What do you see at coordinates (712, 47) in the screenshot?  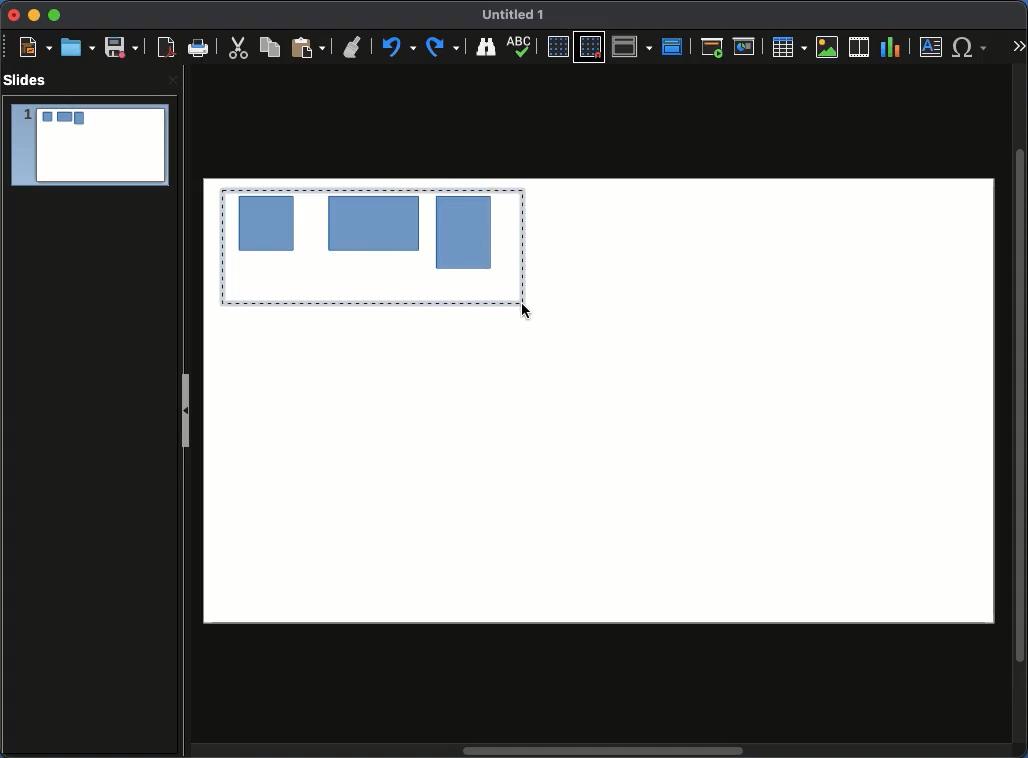 I see `Start from first slide` at bounding box center [712, 47].